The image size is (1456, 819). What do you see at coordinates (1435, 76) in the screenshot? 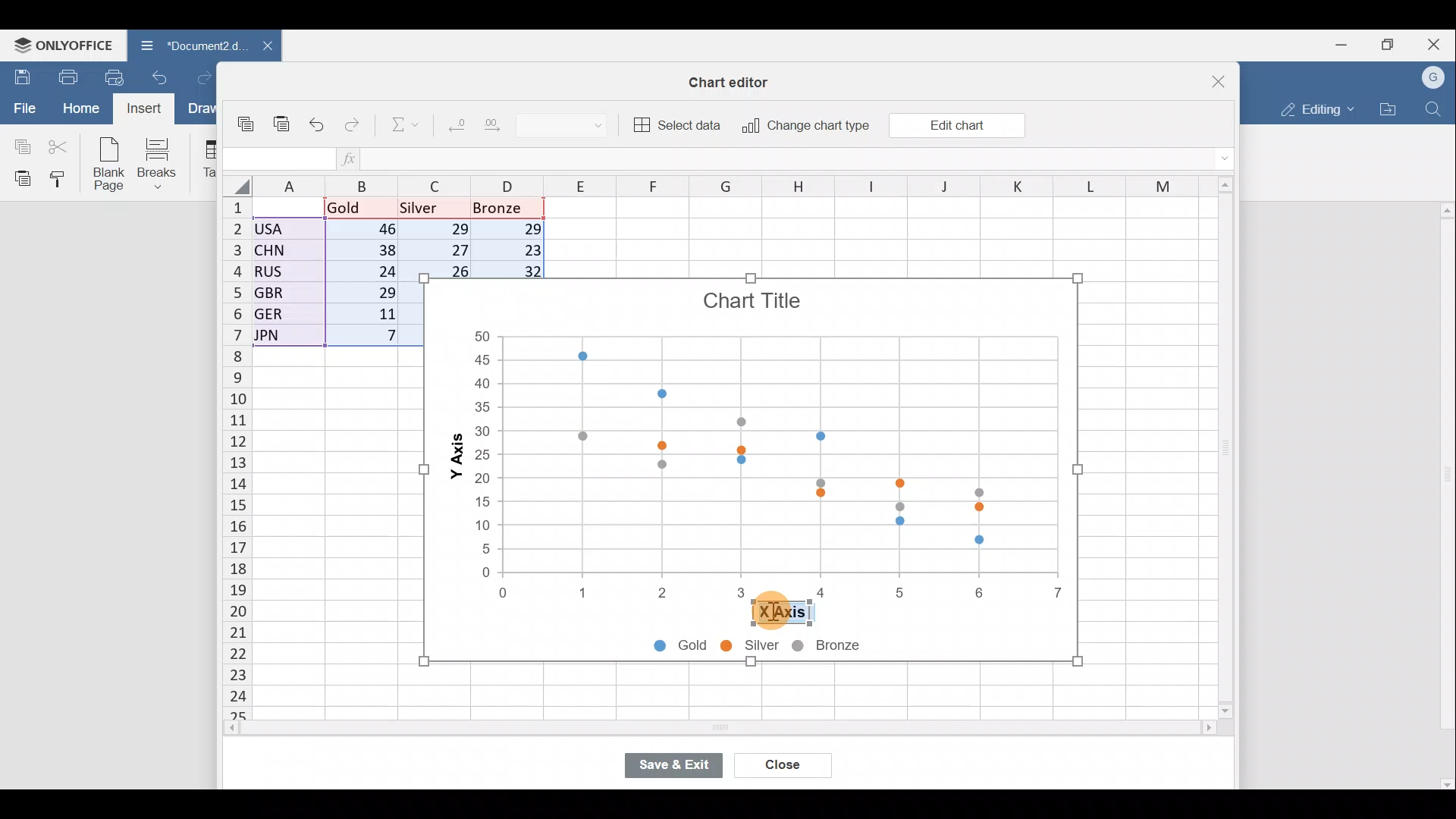
I see `Account name` at bounding box center [1435, 76].